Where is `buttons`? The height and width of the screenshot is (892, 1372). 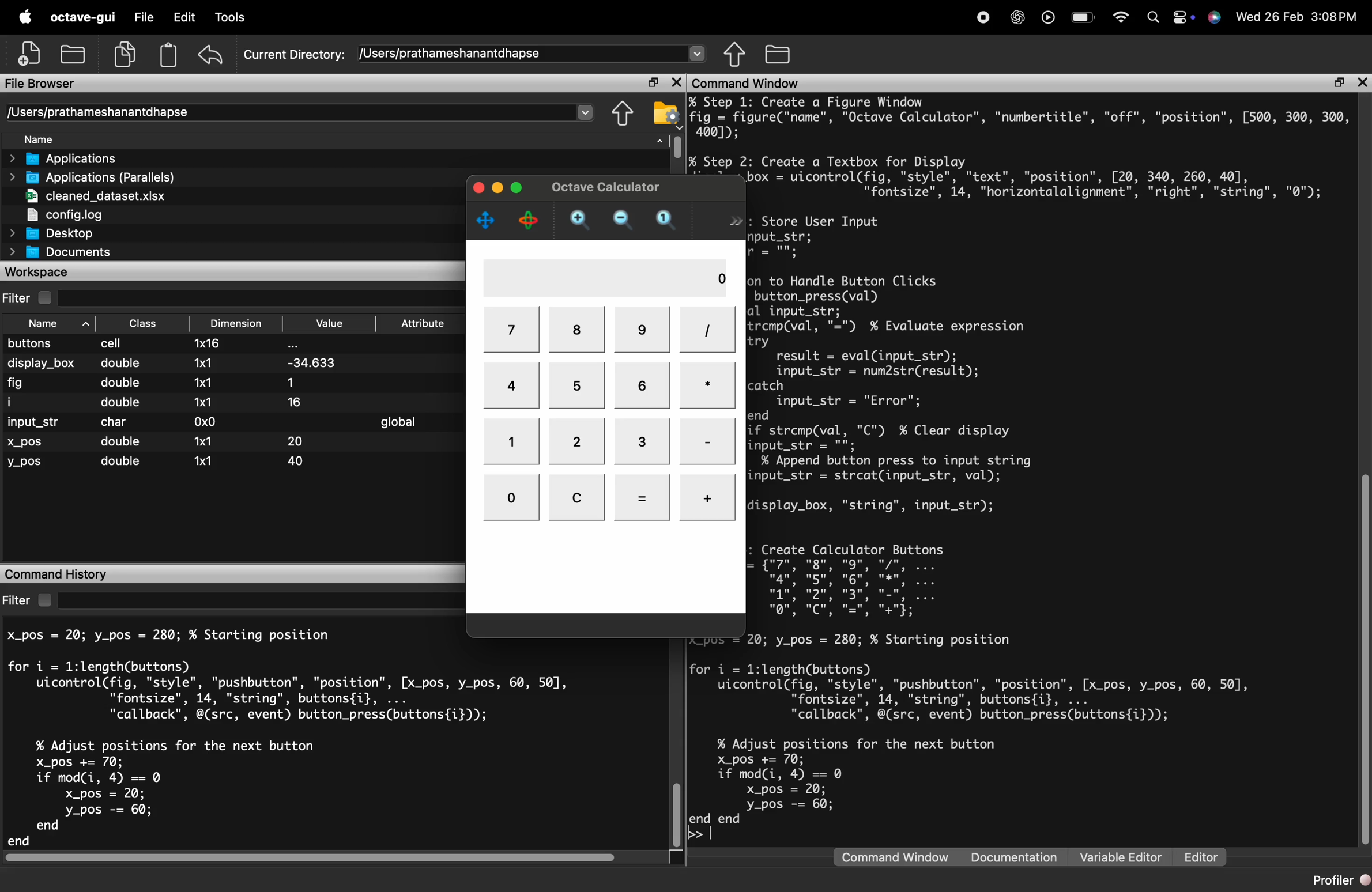 buttons is located at coordinates (28, 343).